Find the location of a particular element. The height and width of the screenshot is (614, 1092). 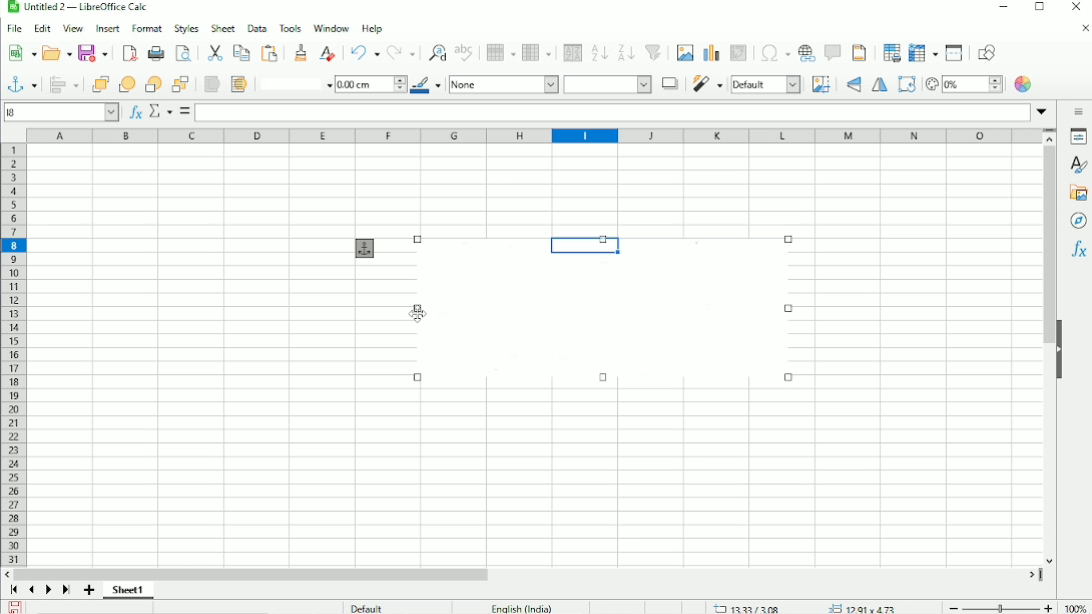

Forward one is located at coordinates (127, 84).